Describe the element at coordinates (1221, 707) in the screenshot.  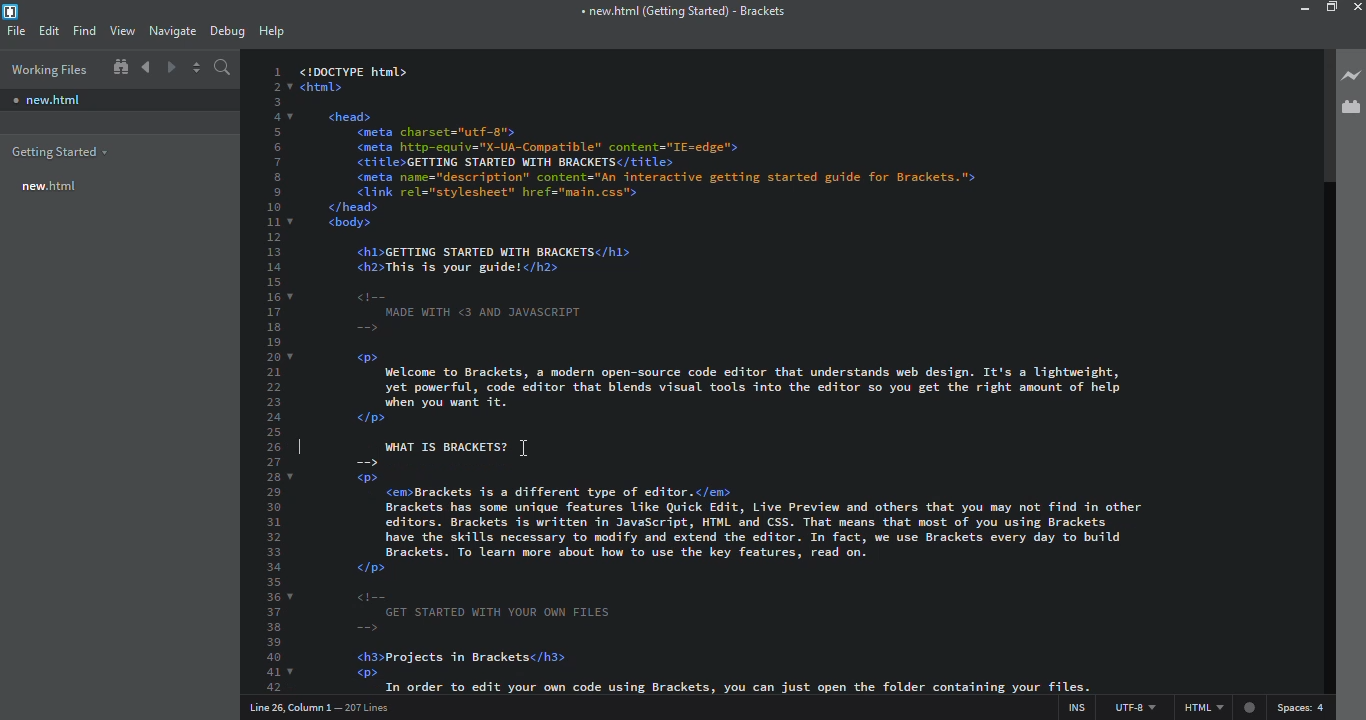
I see `html` at that location.